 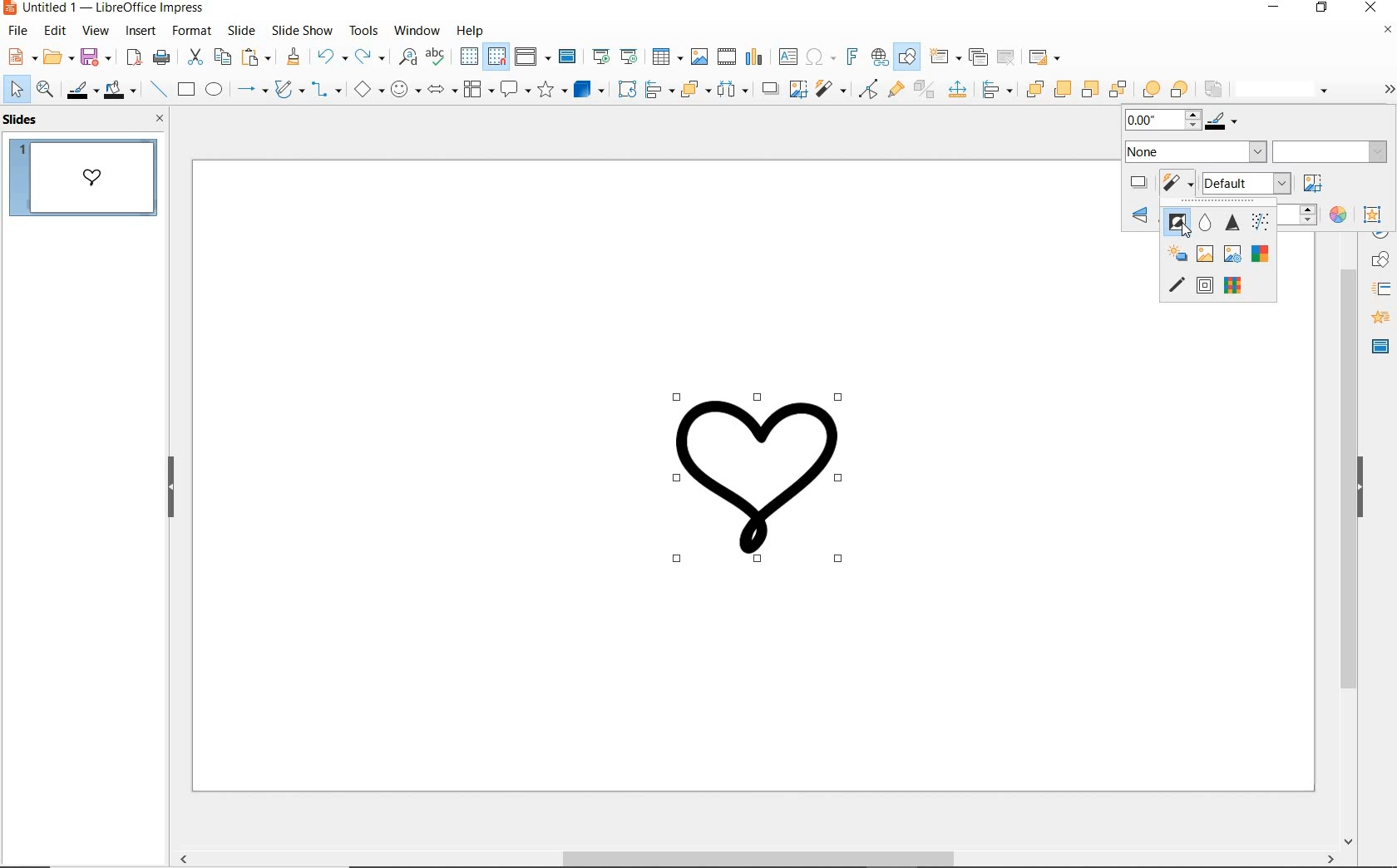 What do you see at coordinates (769, 86) in the screenshot?
I see `shadow` at bounding box center [769, 86].